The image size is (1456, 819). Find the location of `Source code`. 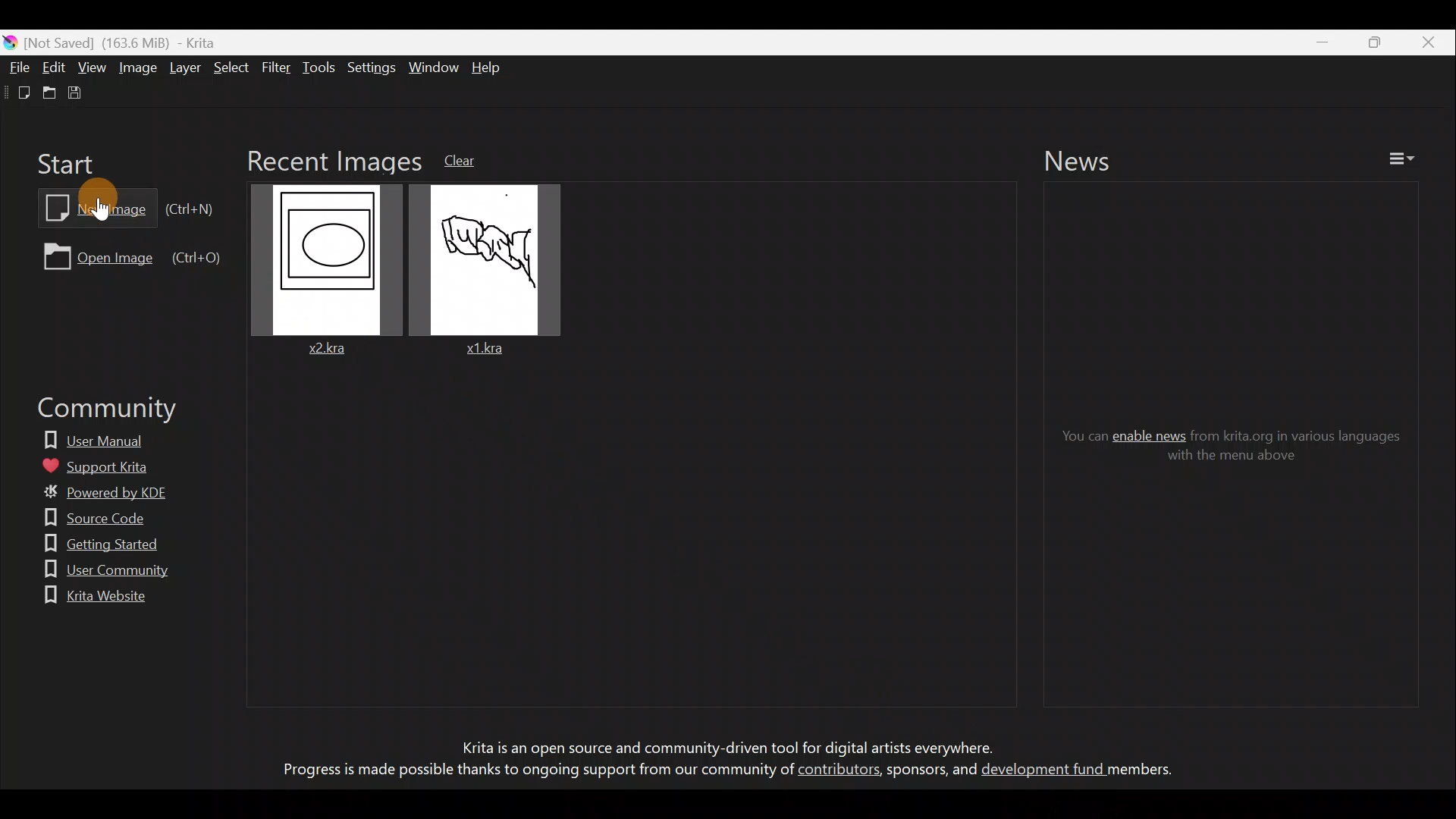

Source code is located at coordinates (88, 518).